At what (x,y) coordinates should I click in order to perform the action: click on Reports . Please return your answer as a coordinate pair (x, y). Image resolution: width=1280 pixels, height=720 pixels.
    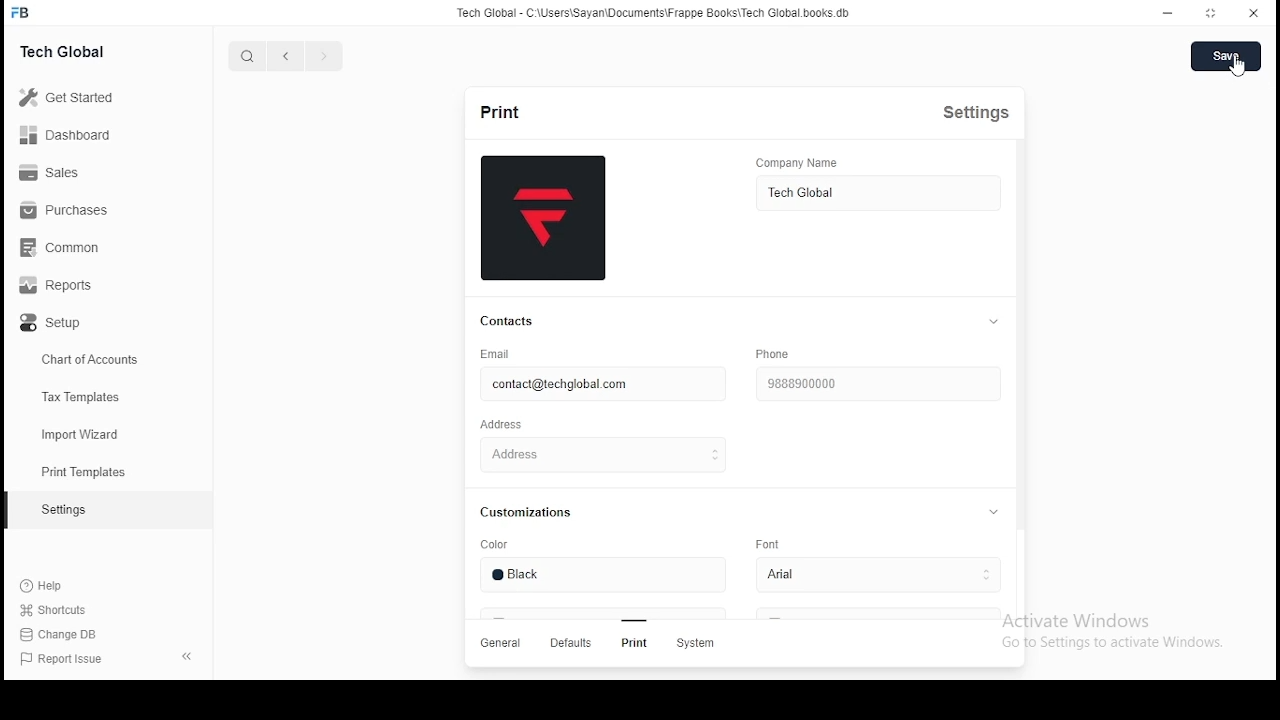
    Looking at the image, I should click on (82, 288).